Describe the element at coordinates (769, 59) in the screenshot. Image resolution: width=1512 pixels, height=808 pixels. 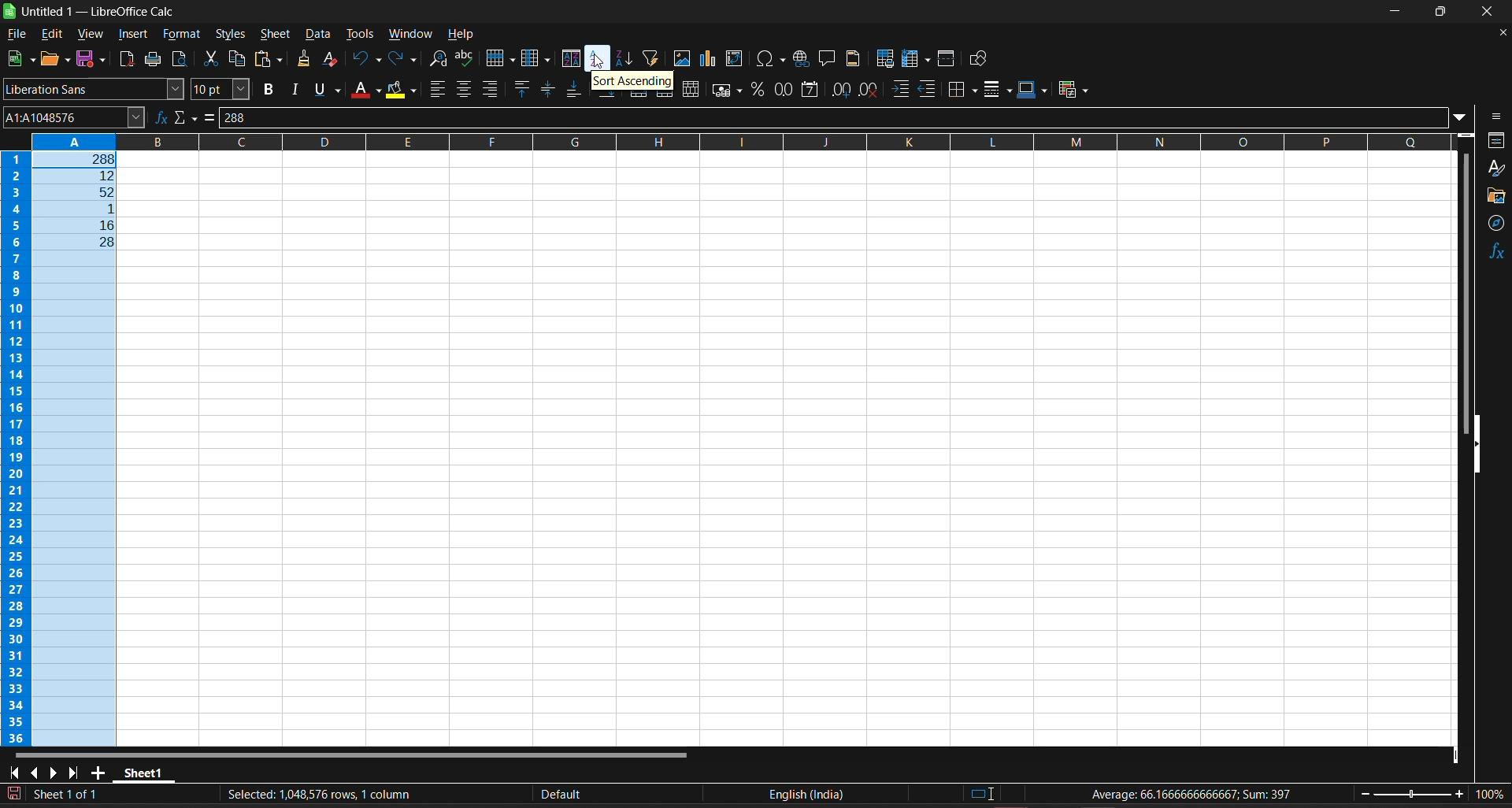
I see `insert special characters` at that location.